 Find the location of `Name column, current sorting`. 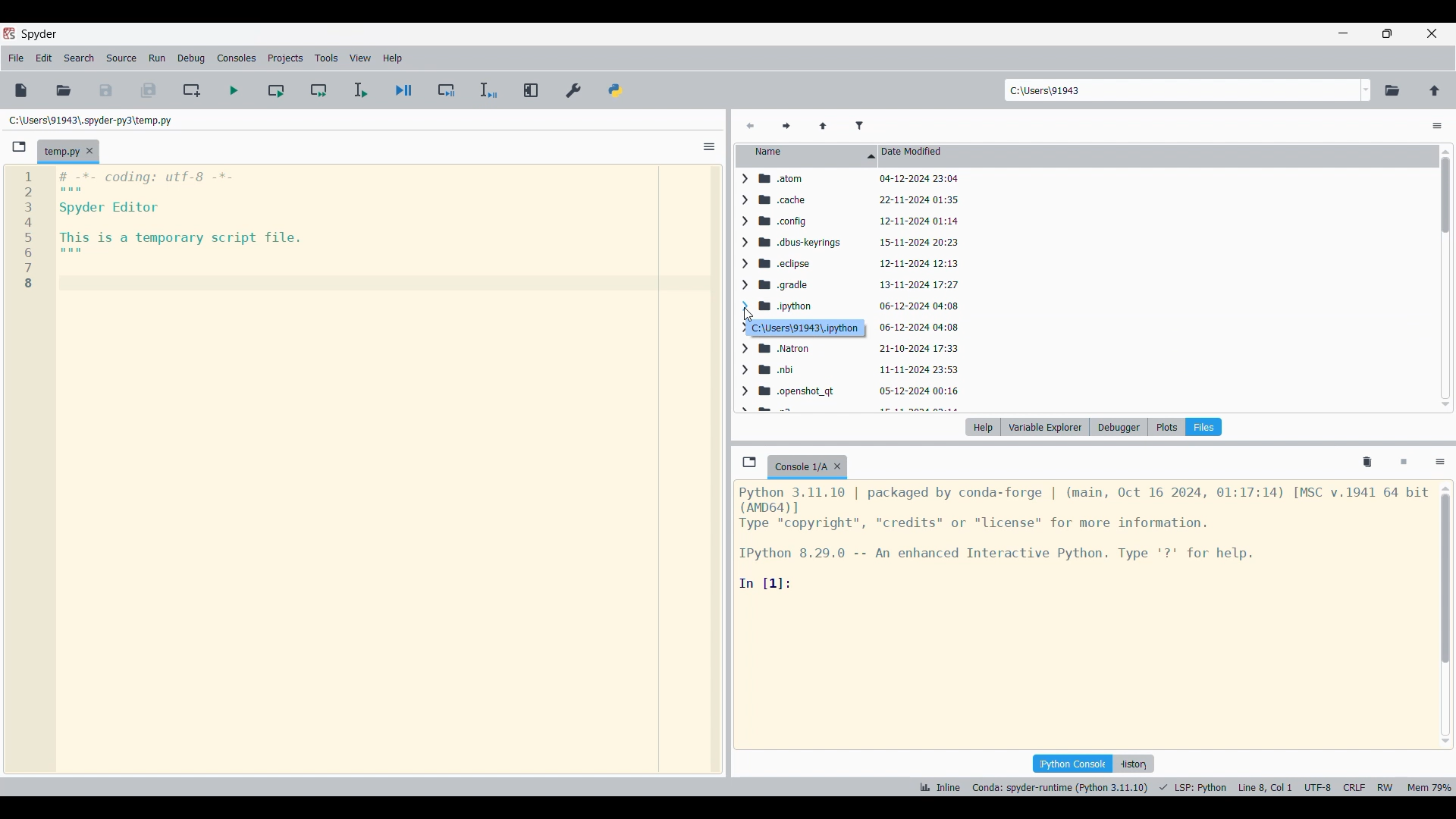

Name column, current sorting is located at coordinates (807, 156).